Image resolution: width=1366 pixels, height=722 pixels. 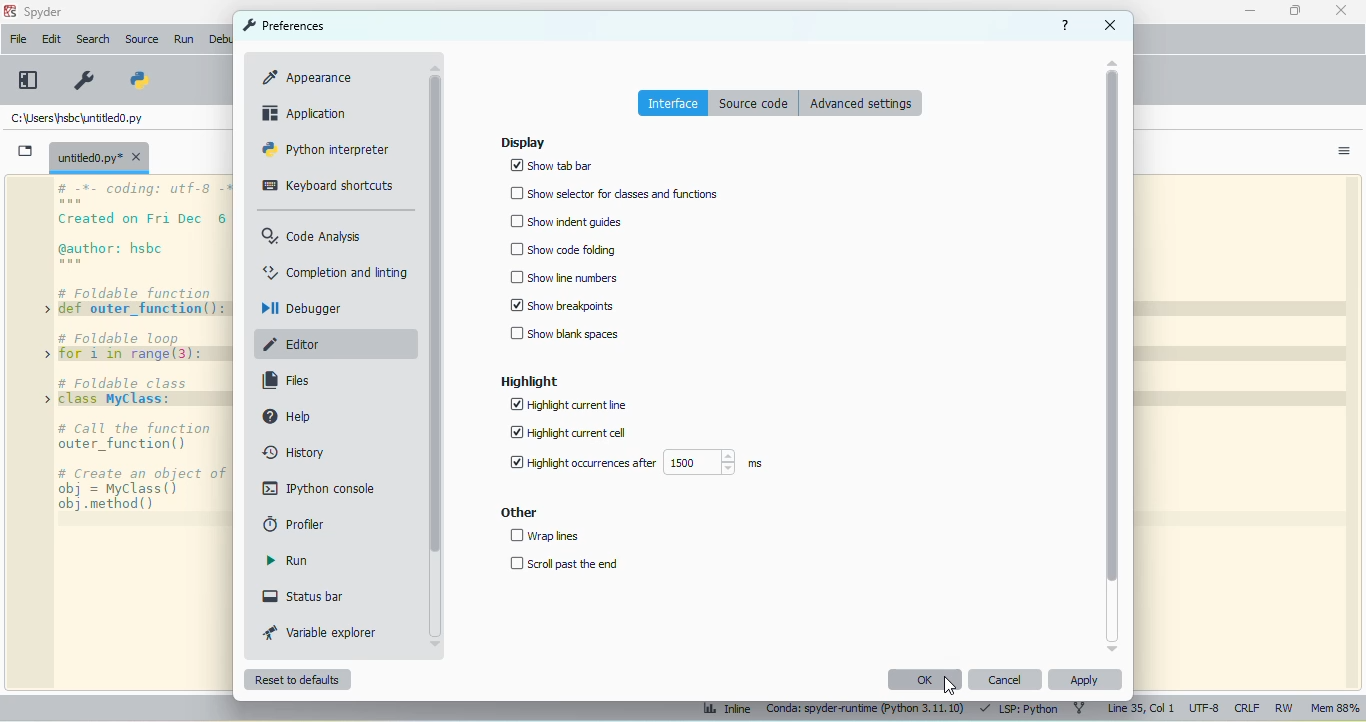 What do you see at coordinates (184, 40) in the screenshot?
I see `run` at bounding box center [184, 40].